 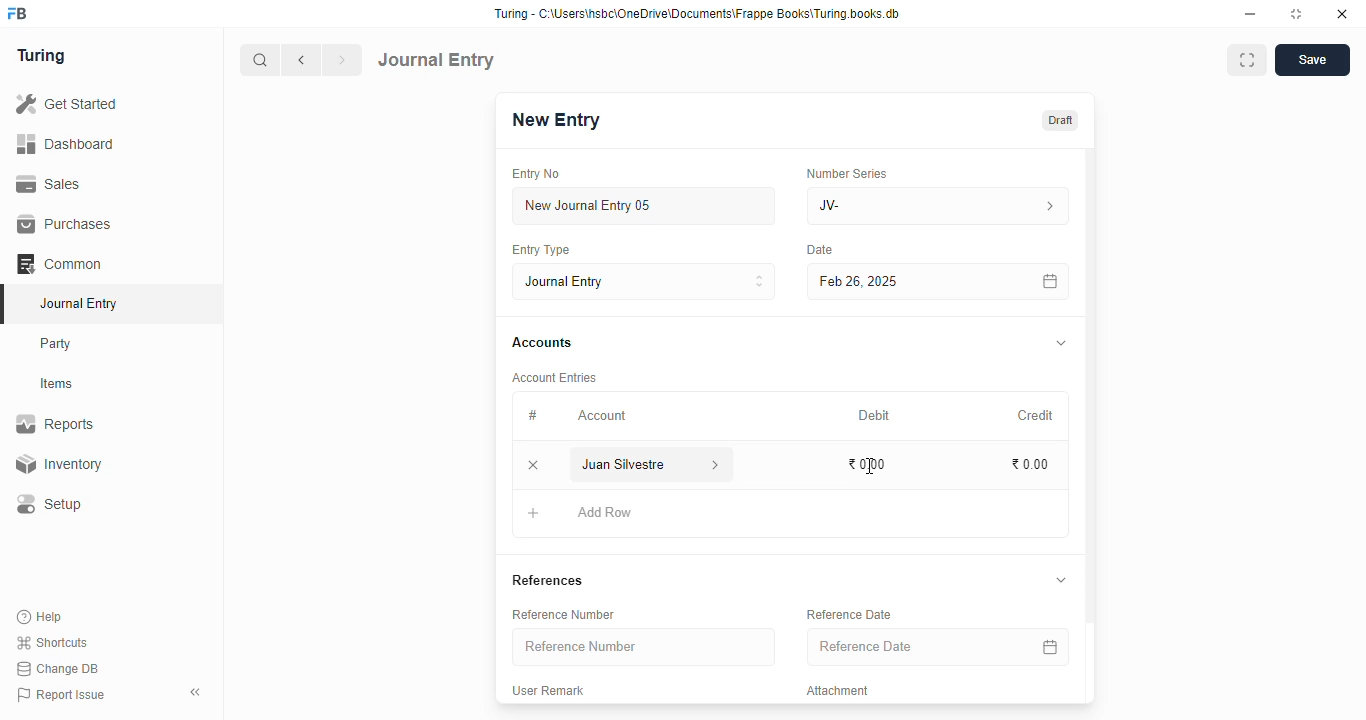 What do you see at coordinates (627, 465) in the screenshot?
I see `juan silvestre` at bounding box center [627, 465].